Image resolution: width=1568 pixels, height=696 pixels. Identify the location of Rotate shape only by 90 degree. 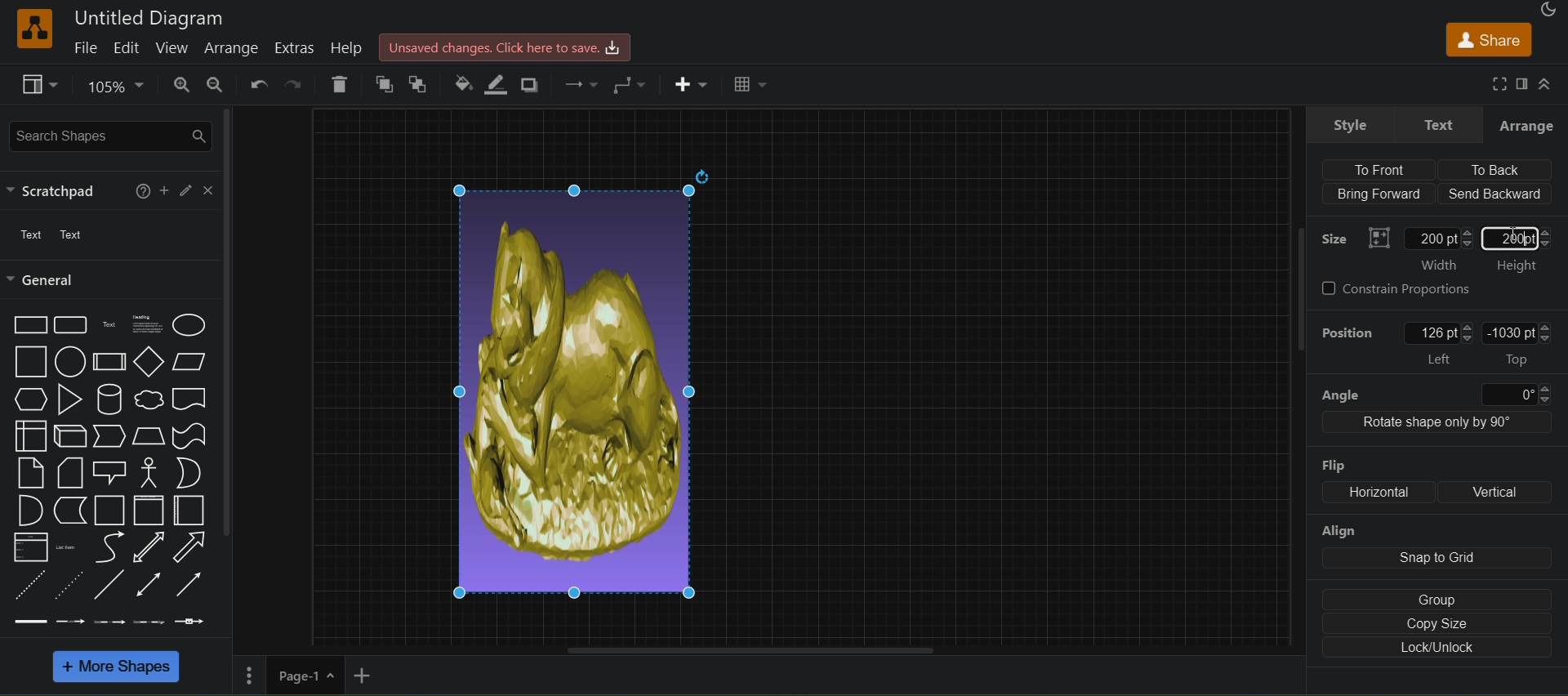
(1436, 425).